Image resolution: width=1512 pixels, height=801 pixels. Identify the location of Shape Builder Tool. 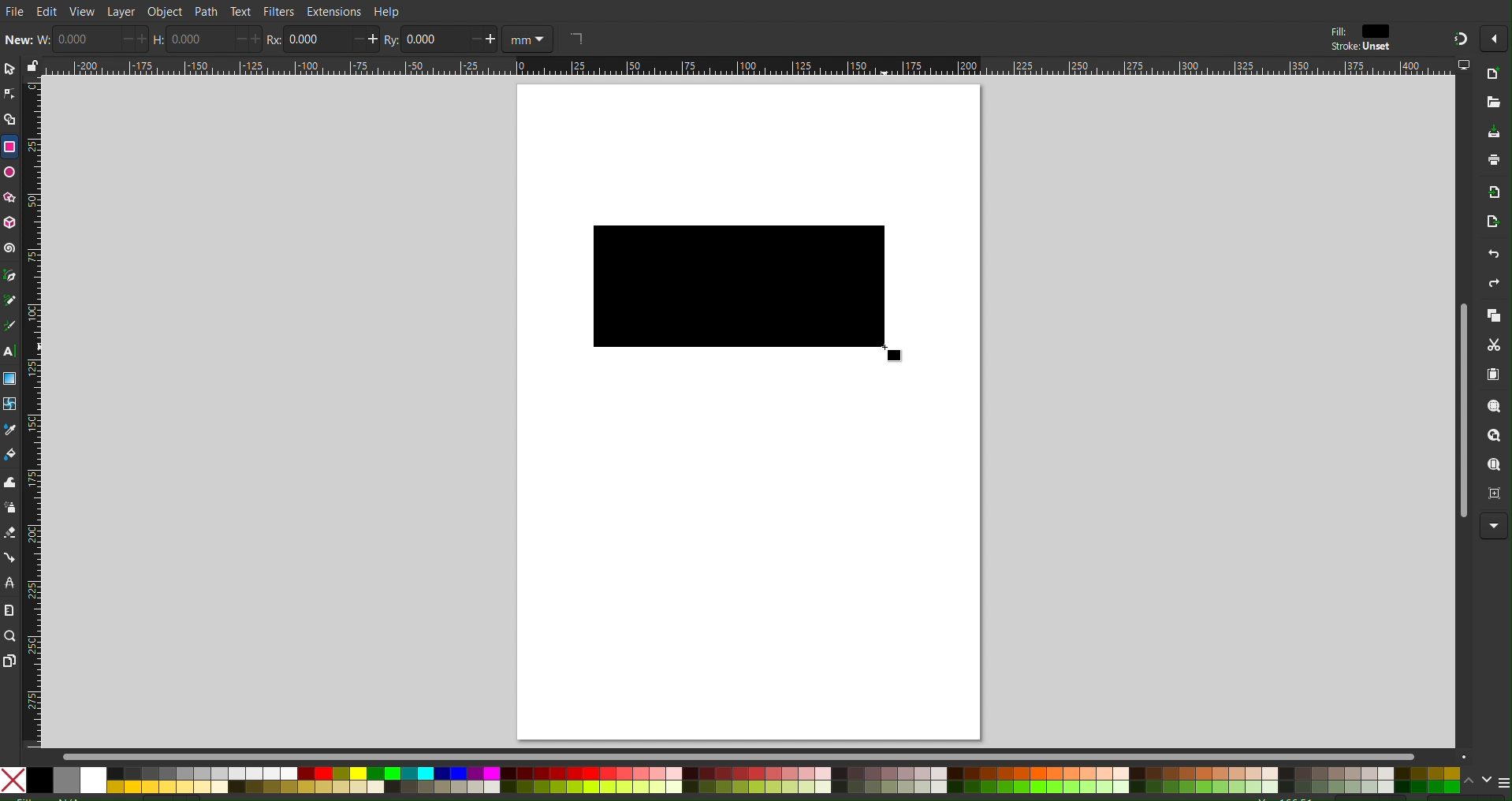
(9, 117).